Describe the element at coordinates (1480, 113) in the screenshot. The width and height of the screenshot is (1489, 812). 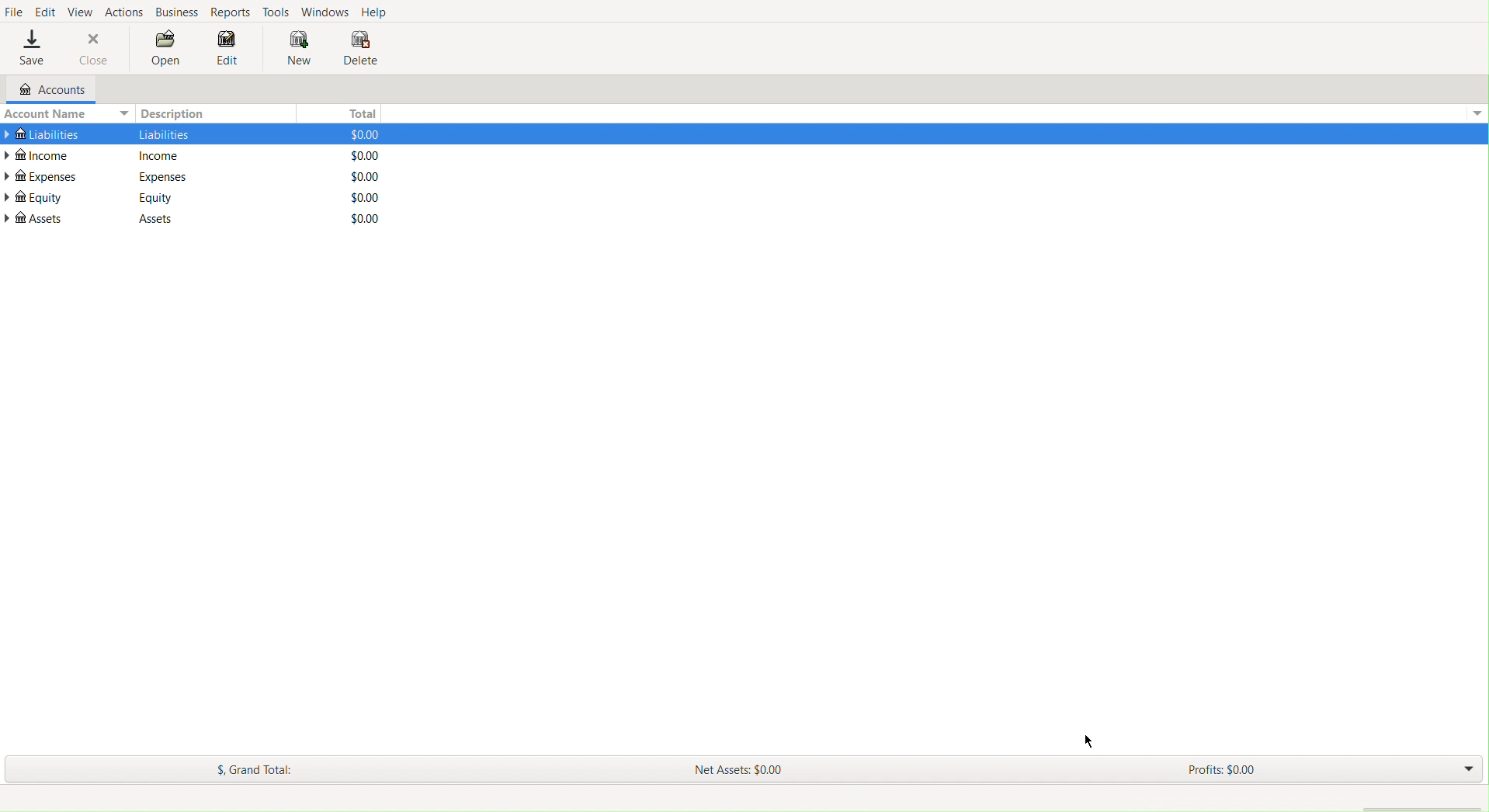
I see `drop down` at that location.